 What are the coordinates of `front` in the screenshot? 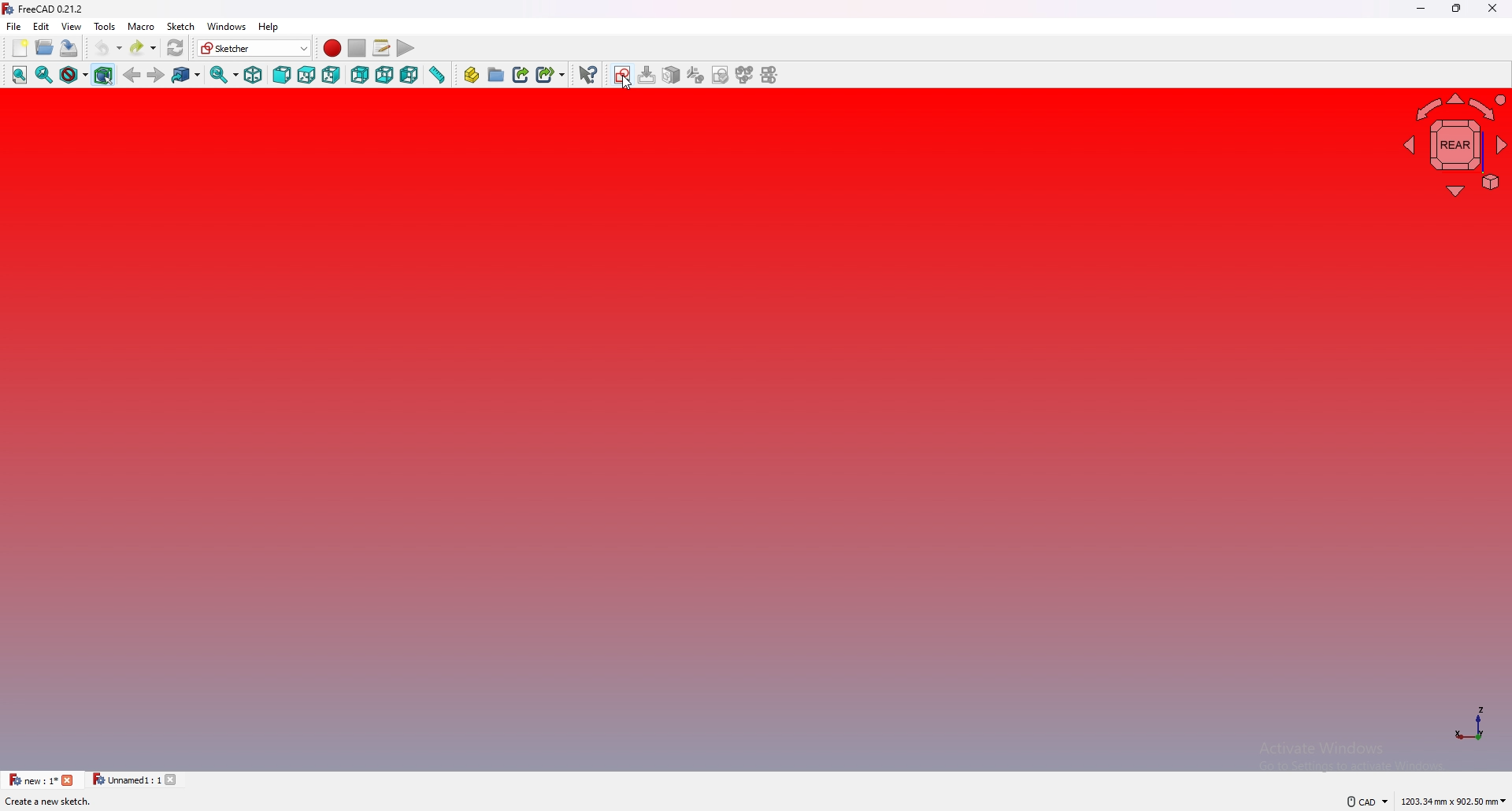 It's located at (280, 76).